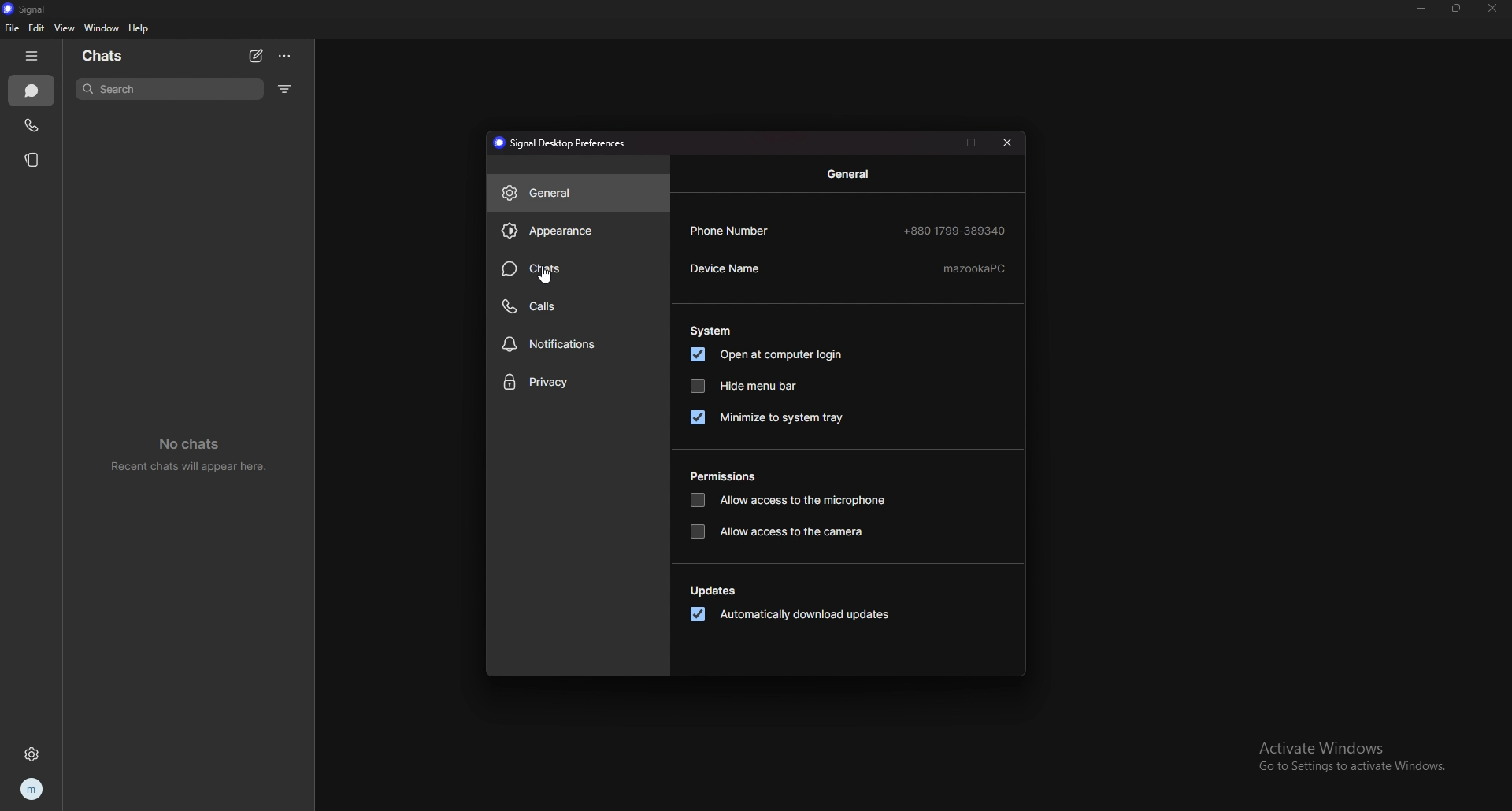 The width and height of the screenshot is (1512, 811). Describe the element at coordinates (541, 277) in the screenshot. I see `cursor` at that location.